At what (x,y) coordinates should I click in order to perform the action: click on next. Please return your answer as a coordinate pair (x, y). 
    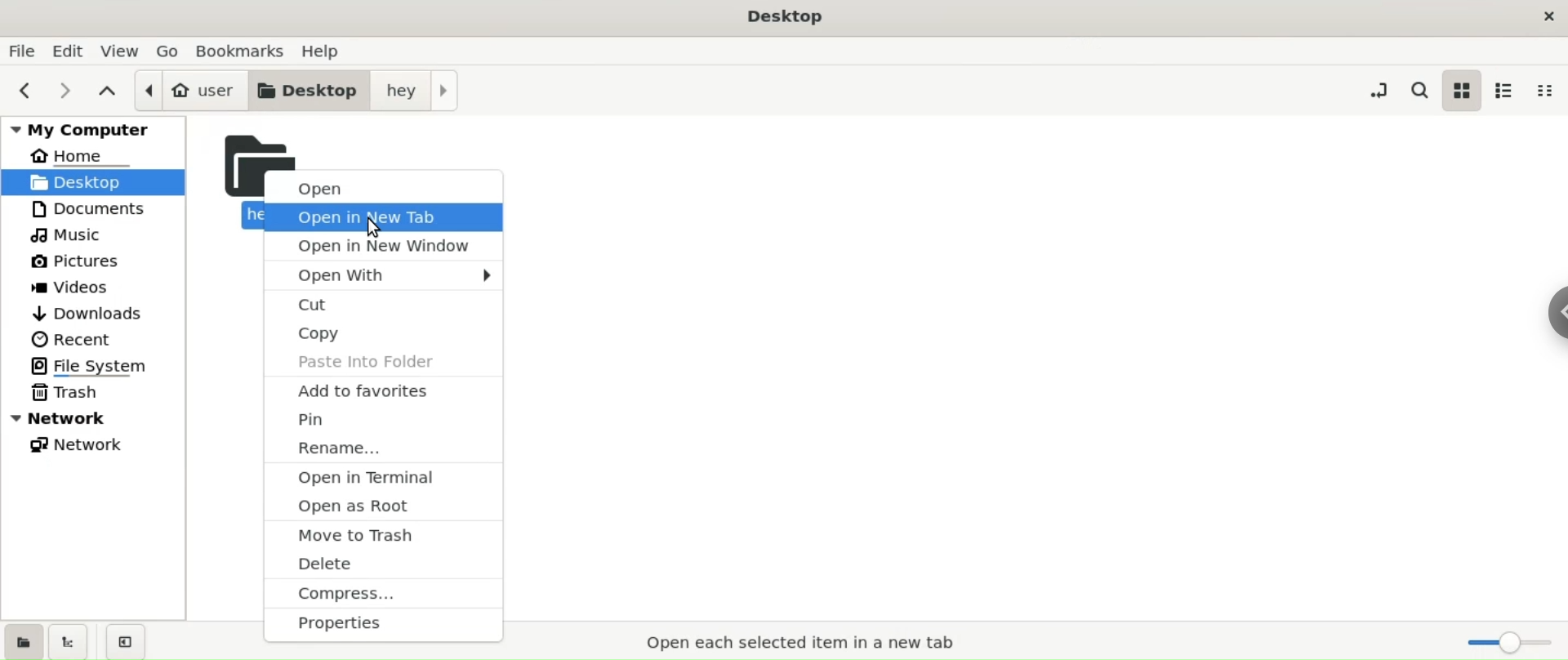
    Looking at the image, I should click on (67, 90).